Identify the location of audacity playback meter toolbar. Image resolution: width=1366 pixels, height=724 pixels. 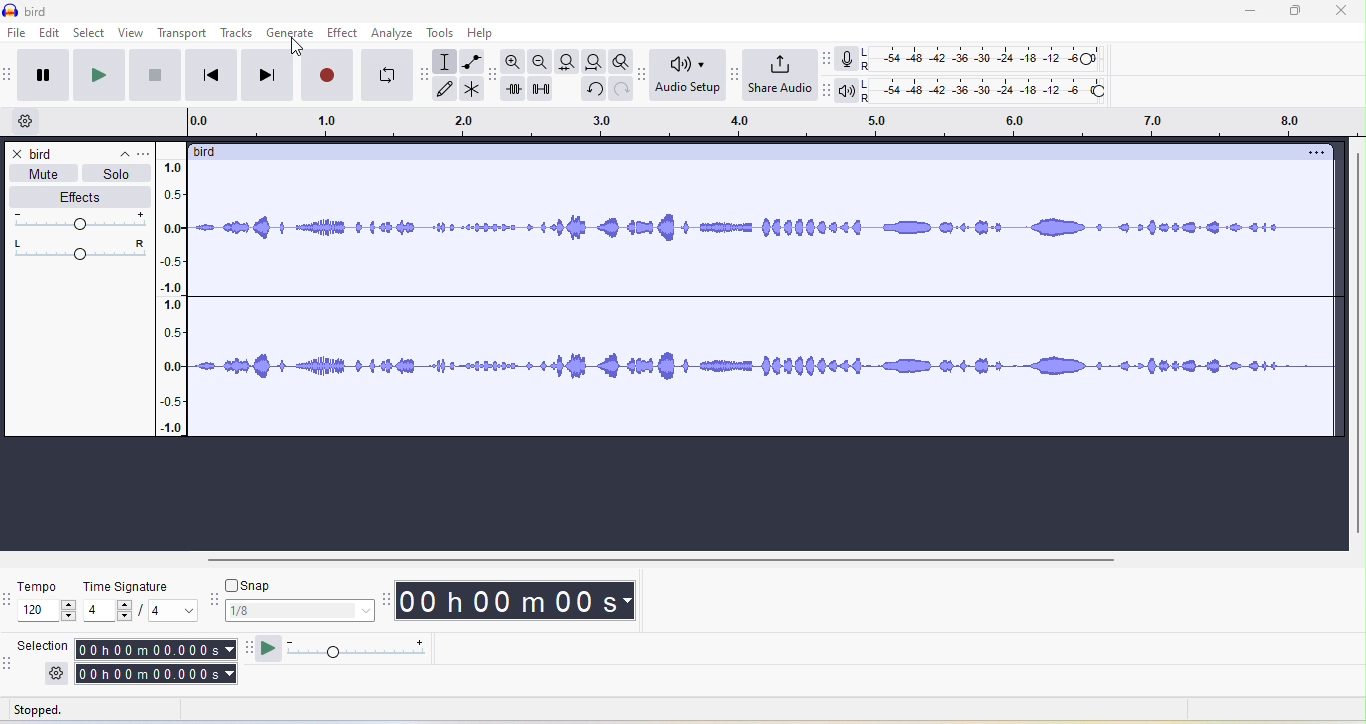
(830, 94).